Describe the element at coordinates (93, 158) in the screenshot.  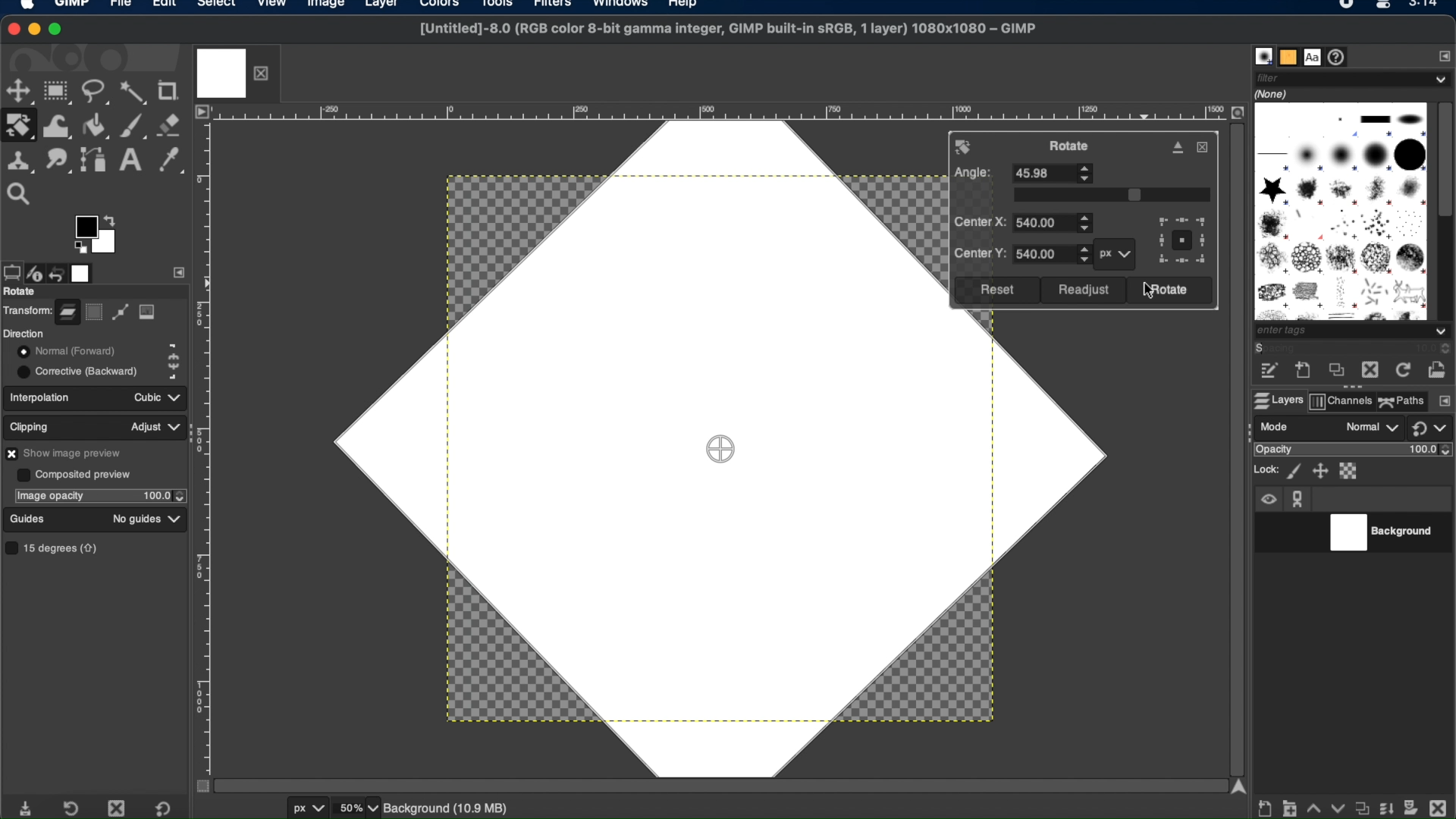
I see `paths tool` at that location.